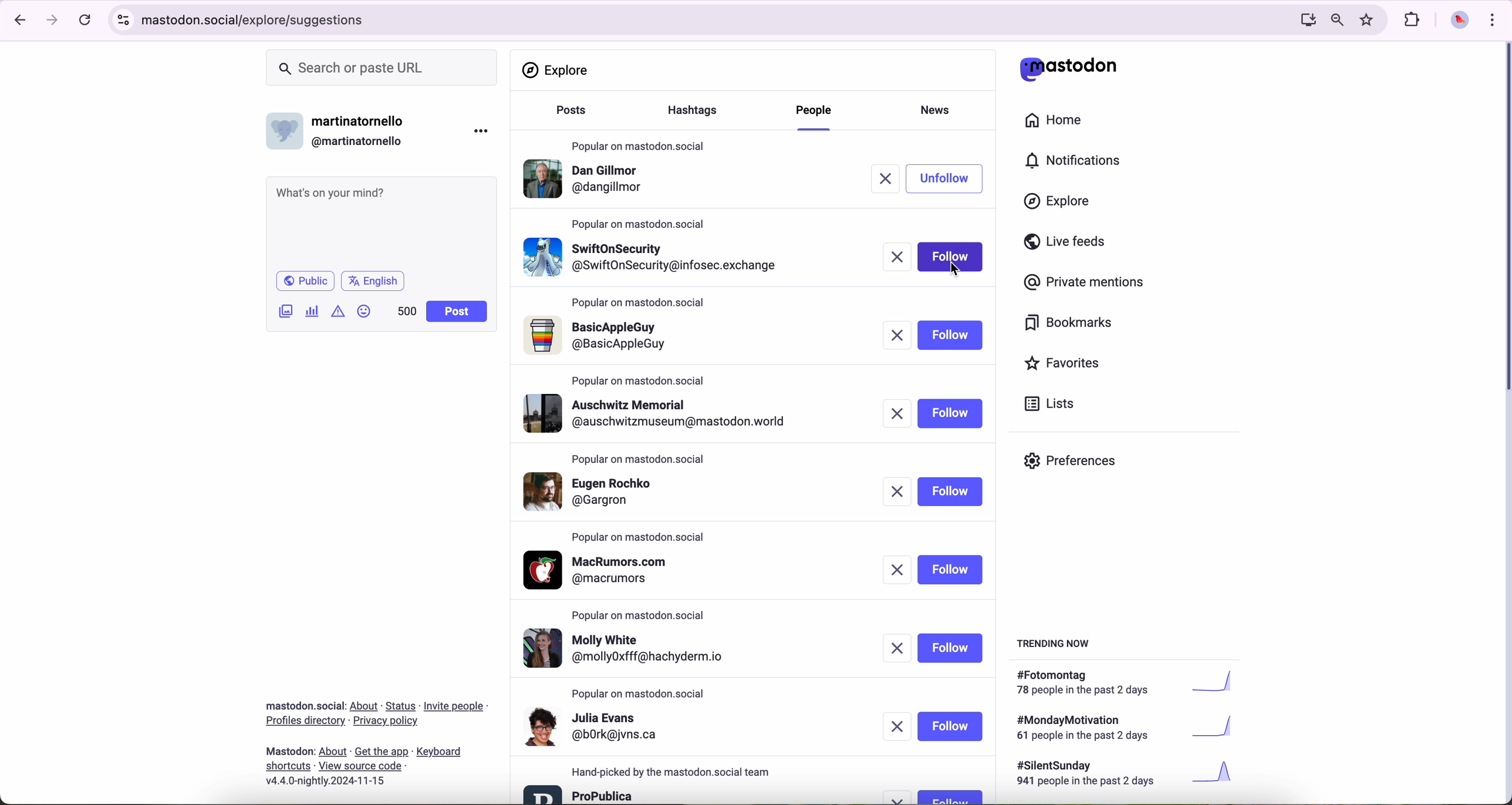 The height and width of the screenshot is (805, 1512). What do you see at coordinates (654, 254) in the screenshot?
I see `profile` at bounding box center [654, 254].